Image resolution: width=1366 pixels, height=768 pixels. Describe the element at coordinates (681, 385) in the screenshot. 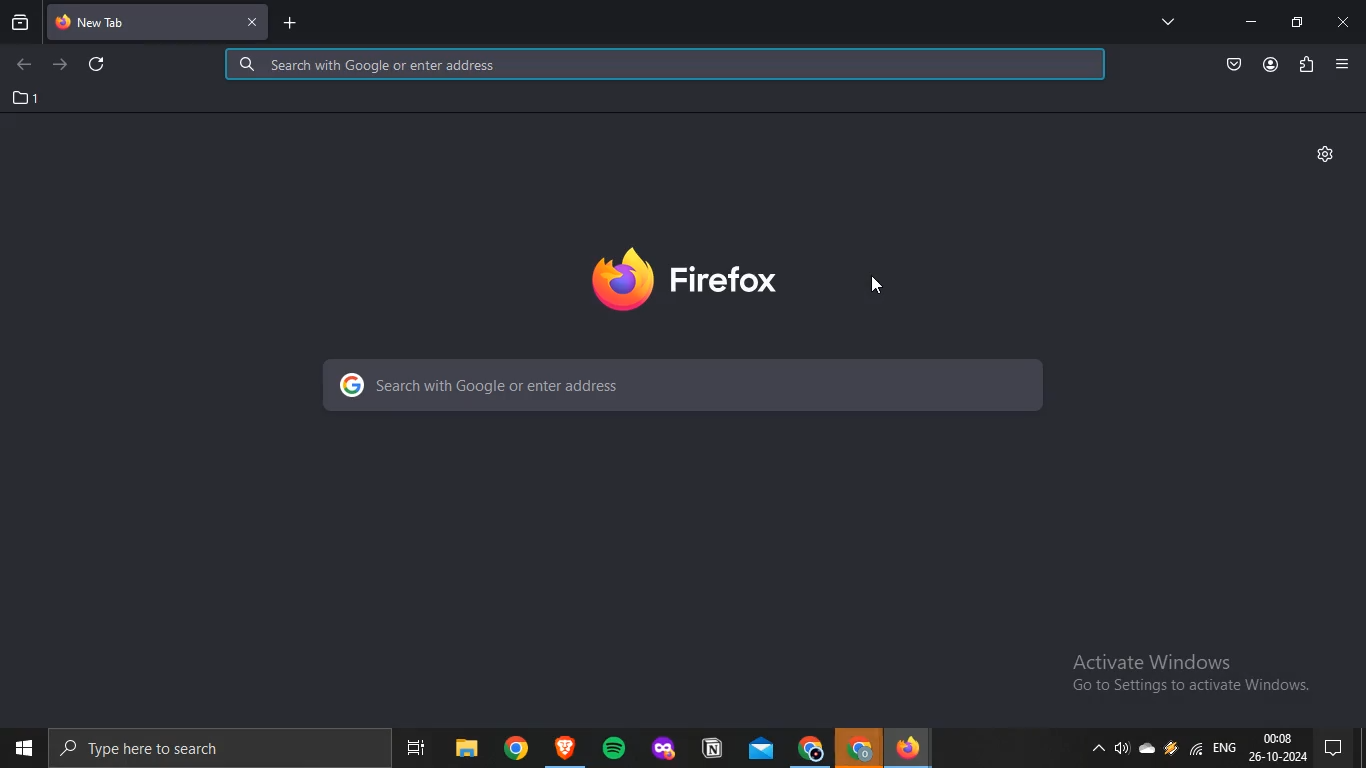

I see `search with google or enter address` at that location.